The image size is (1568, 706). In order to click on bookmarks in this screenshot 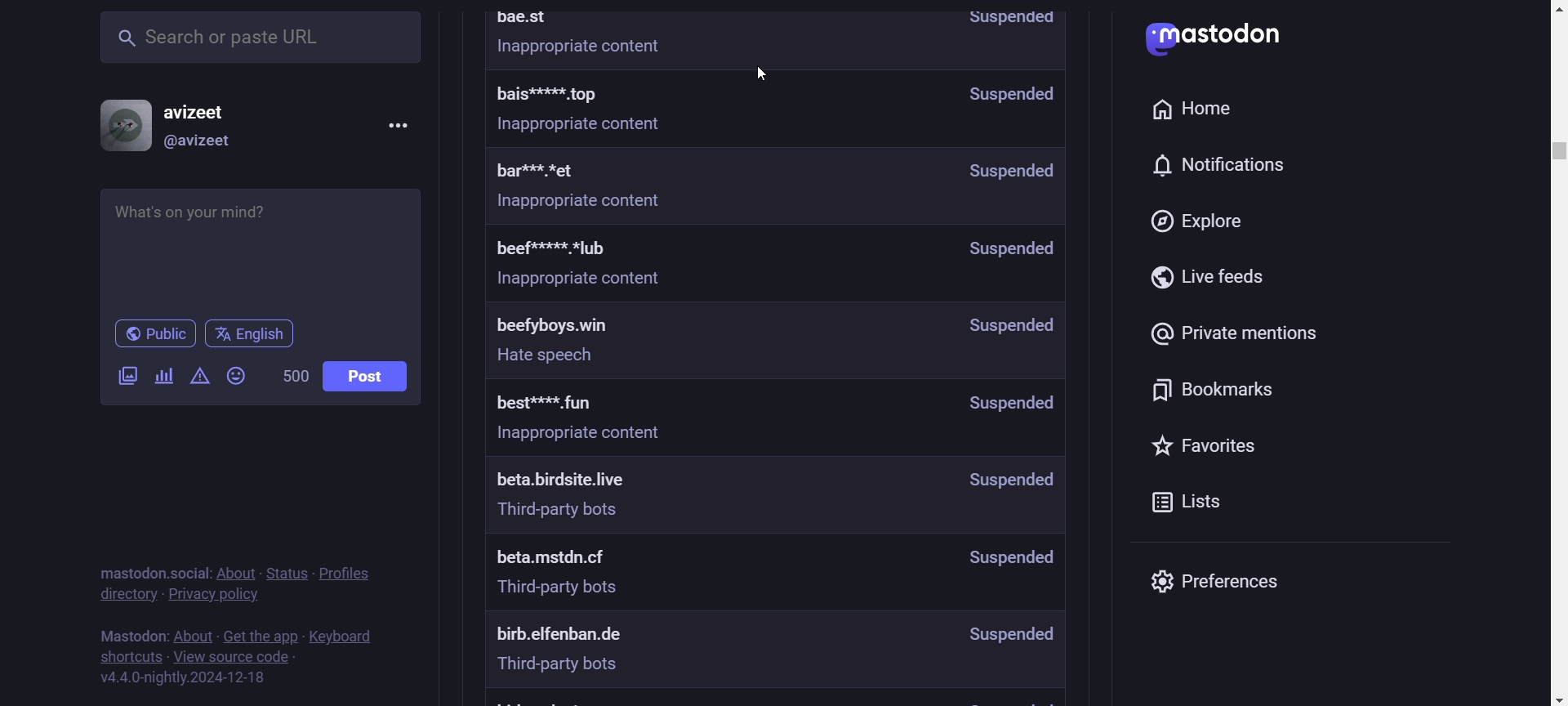, I will do `click(1205, 393)`.